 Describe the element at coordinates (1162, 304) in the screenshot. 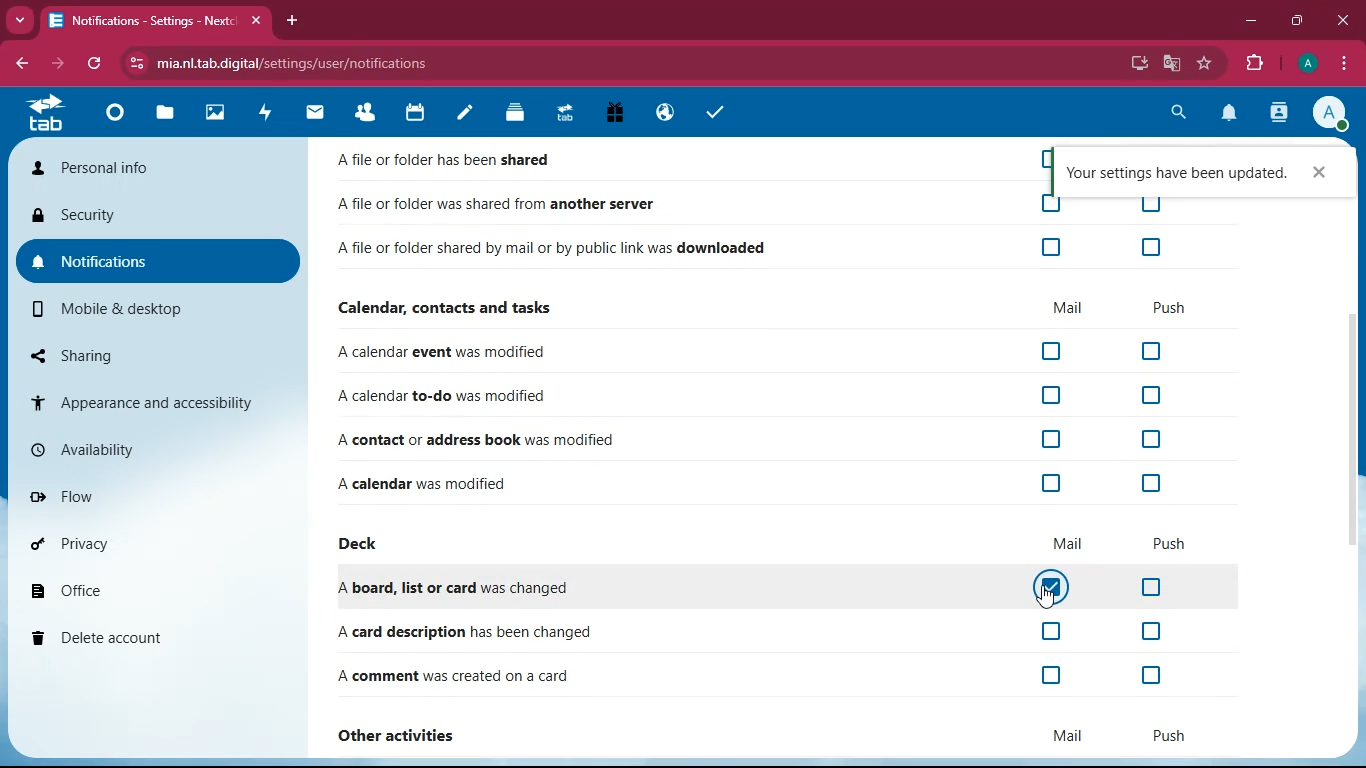

I see `push` at that location.